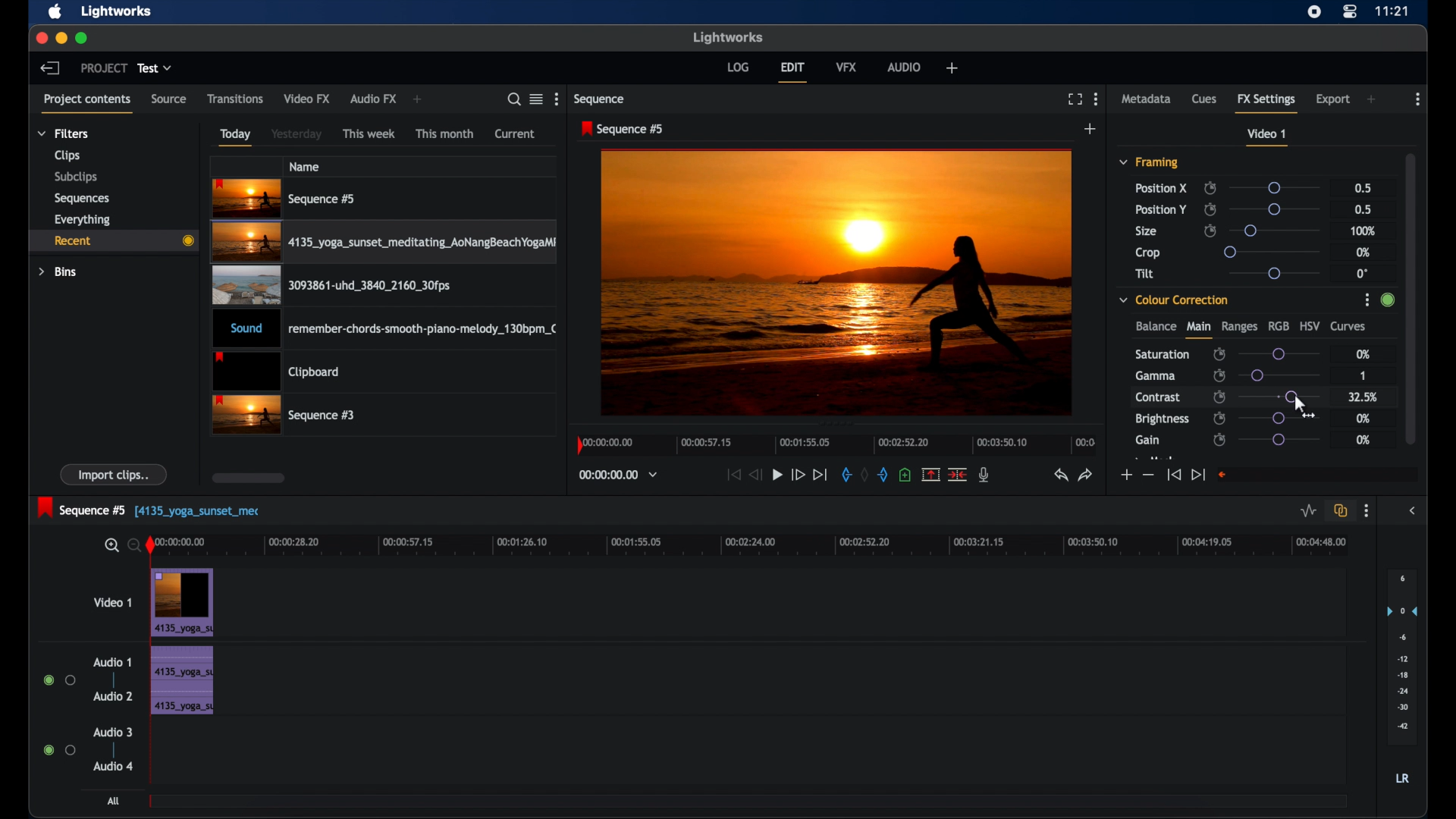  I want to click on radio button, so click(59, 680).